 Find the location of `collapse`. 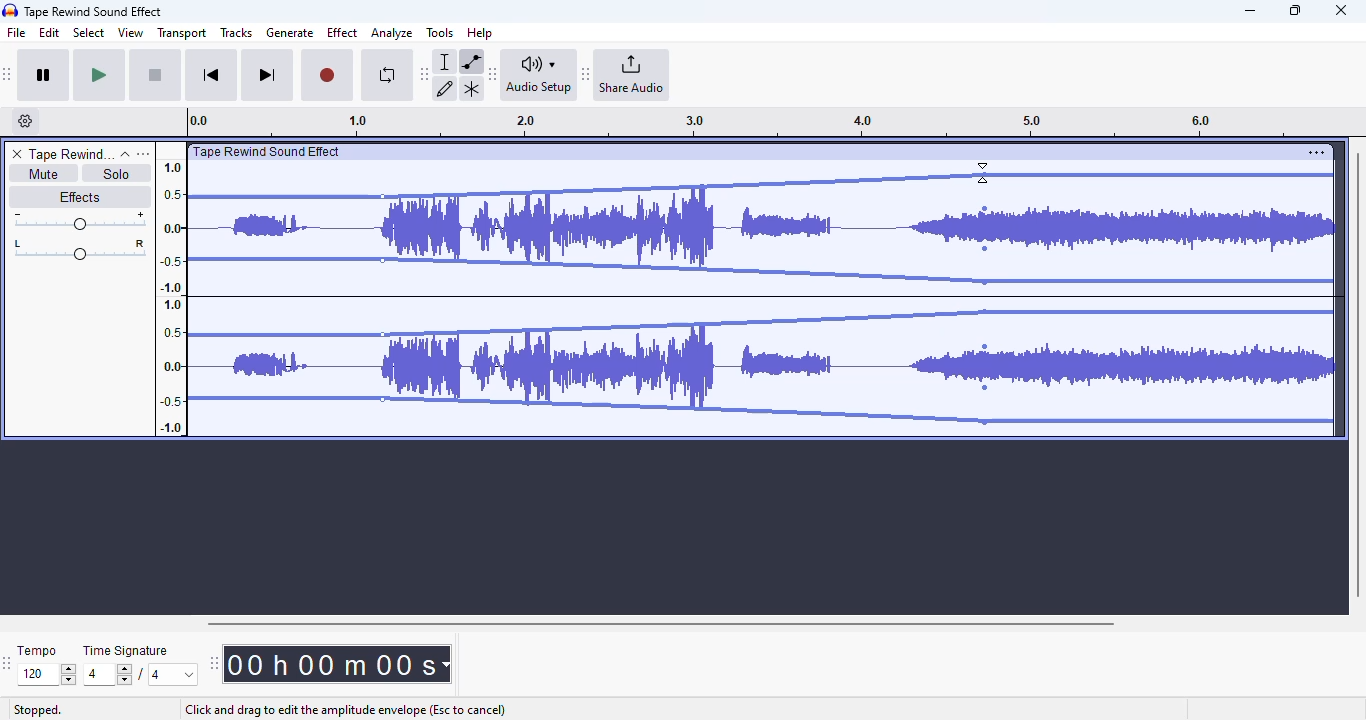

collapse is located at coordinates (125, 154).